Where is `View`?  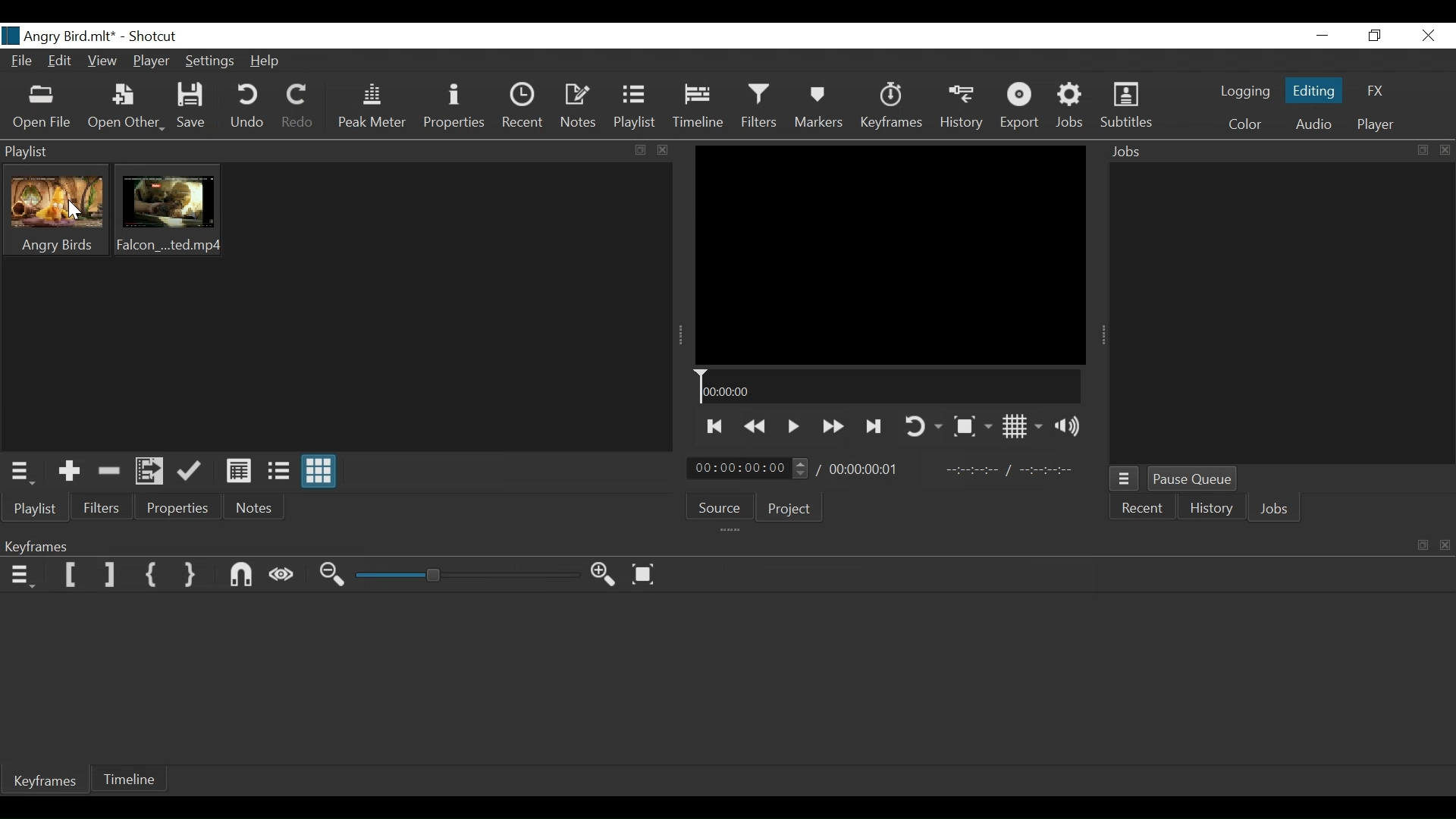
View is located at coordinates (101, 60).